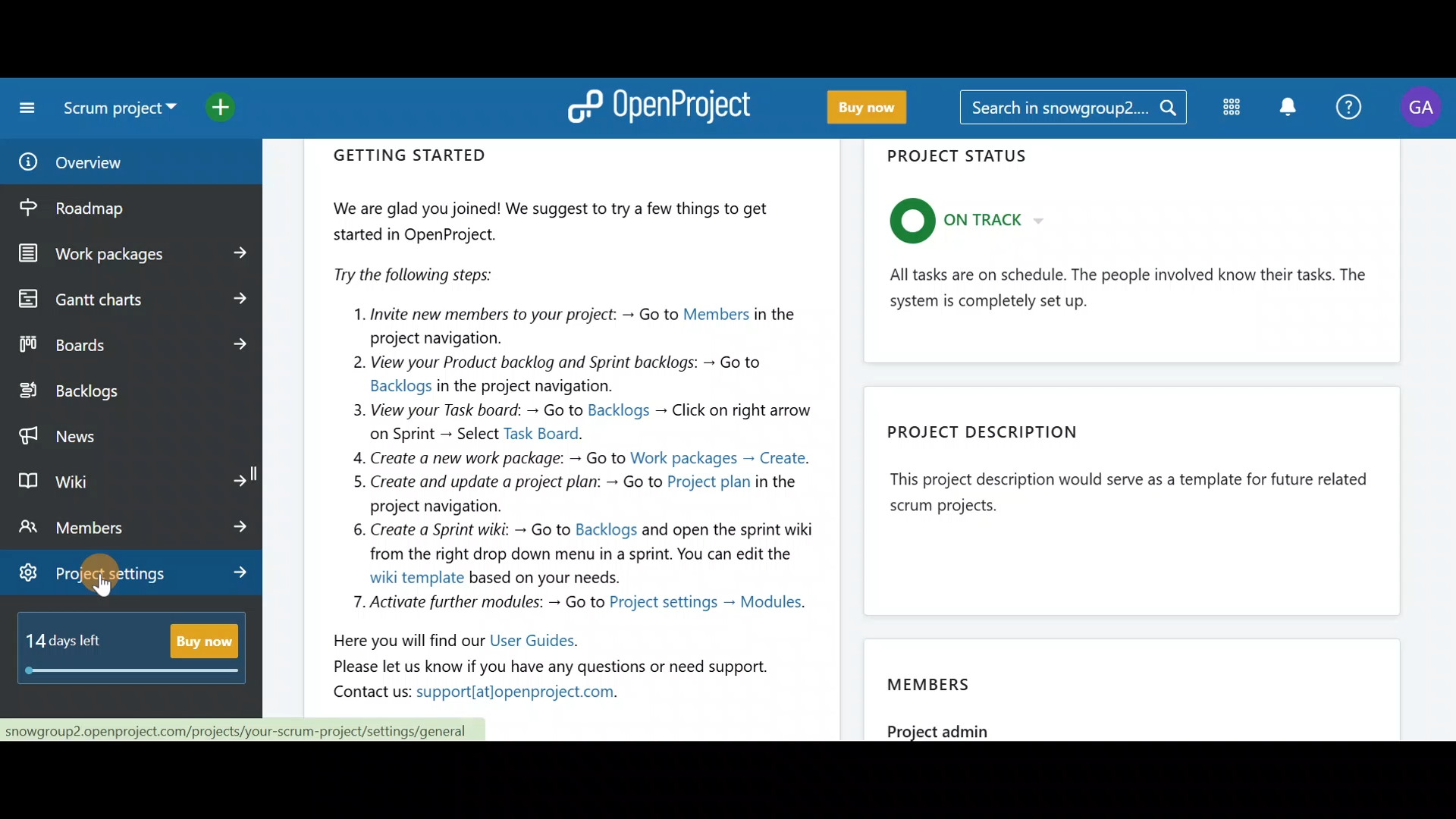 The width and height of the screenshot is (1456, 819). Describe the element at coordinates (1424, 108) in the screenshot. I see `Account name` at that location.